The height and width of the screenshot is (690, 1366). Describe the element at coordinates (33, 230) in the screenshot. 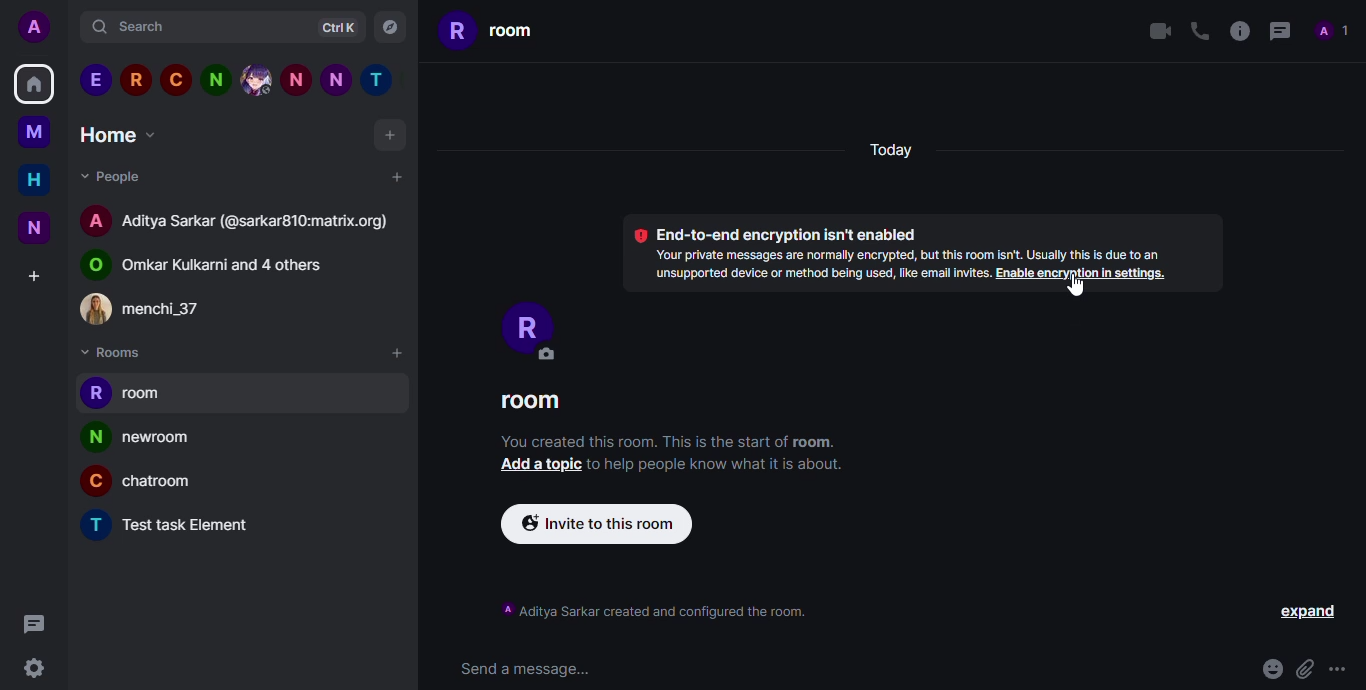

I see `New` at that location.